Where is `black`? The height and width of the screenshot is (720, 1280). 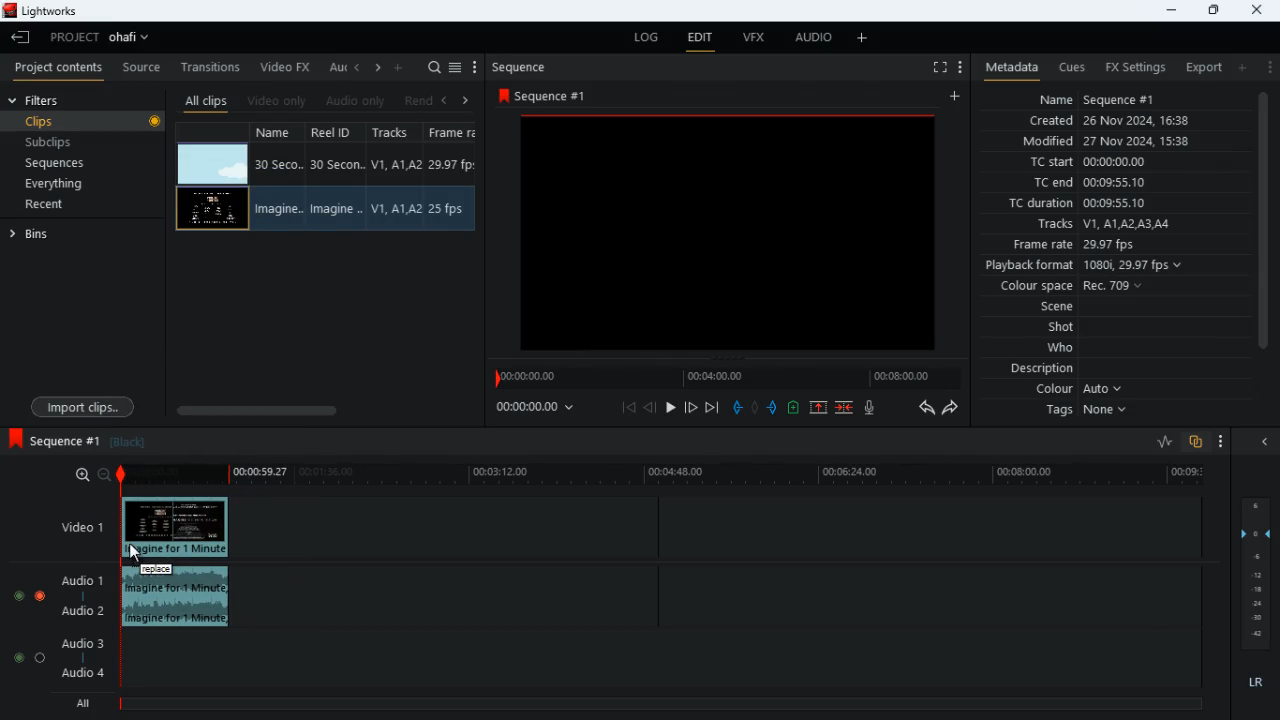
black is located at coordinates (136, 440).